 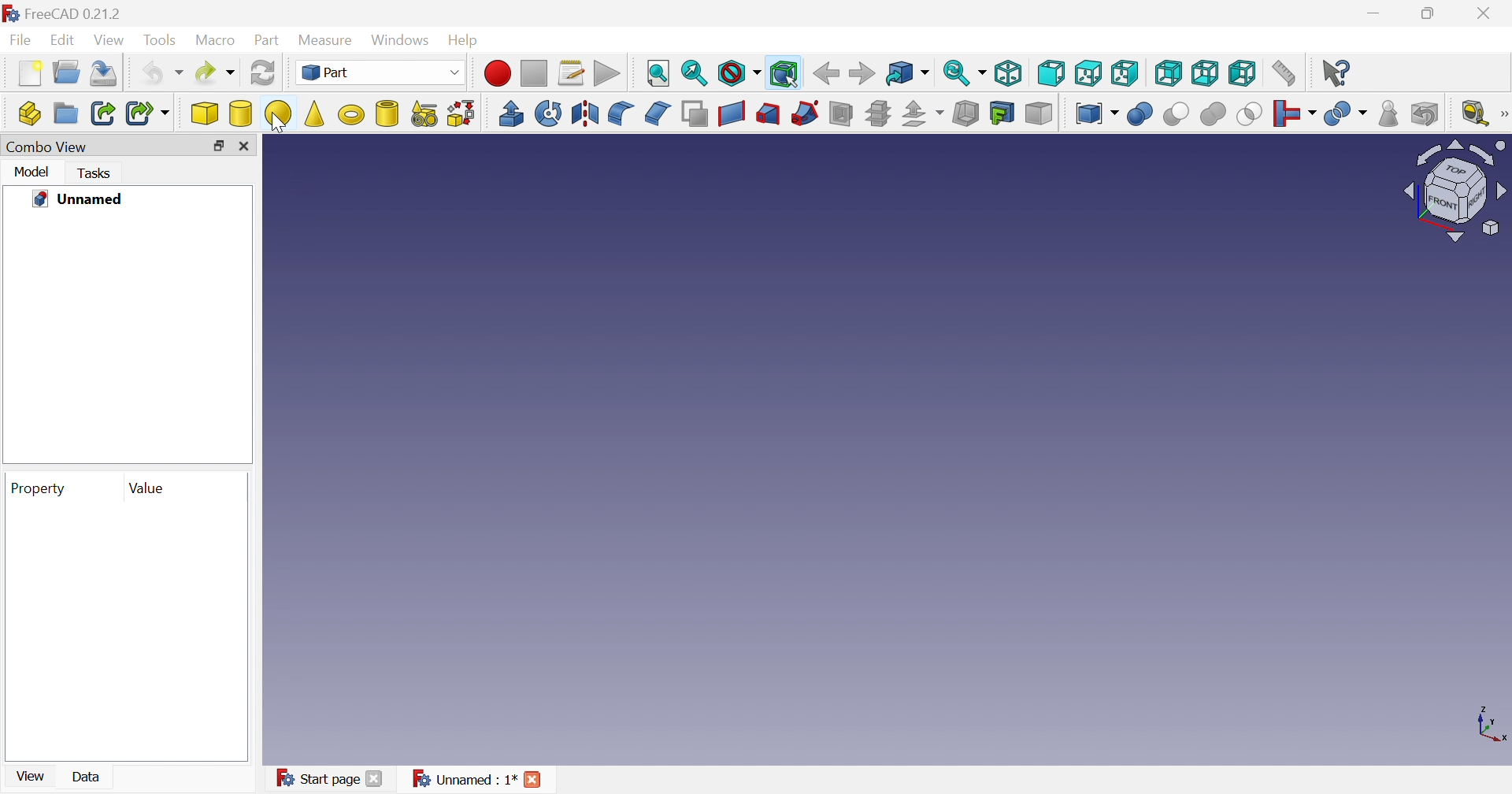 What do you see at coordinates (784, 76) in the screenshot?
I see `Bounding box` at bounding box center [784, 76].